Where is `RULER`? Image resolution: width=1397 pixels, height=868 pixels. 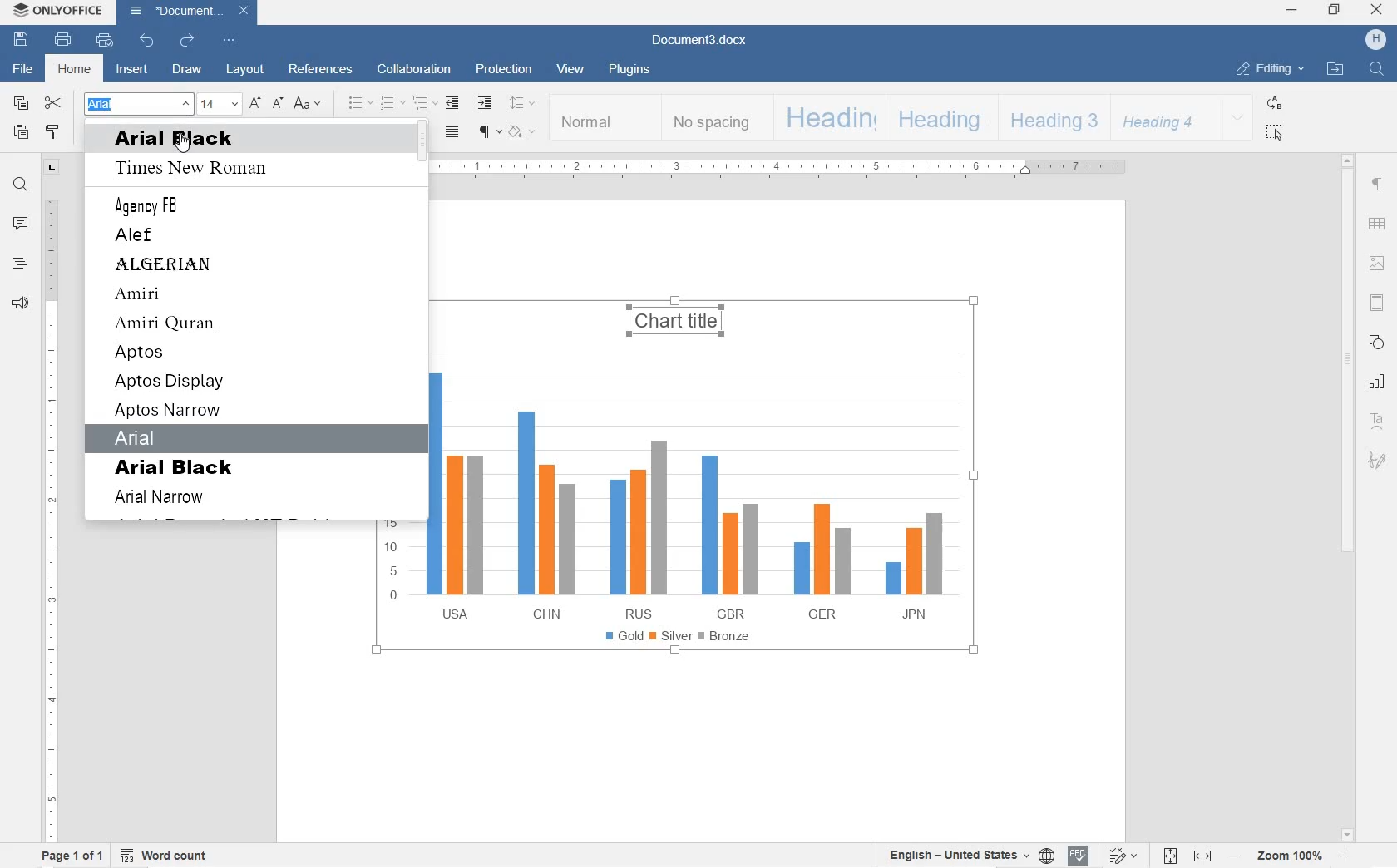
RULER is located at coordinates (787, 169).